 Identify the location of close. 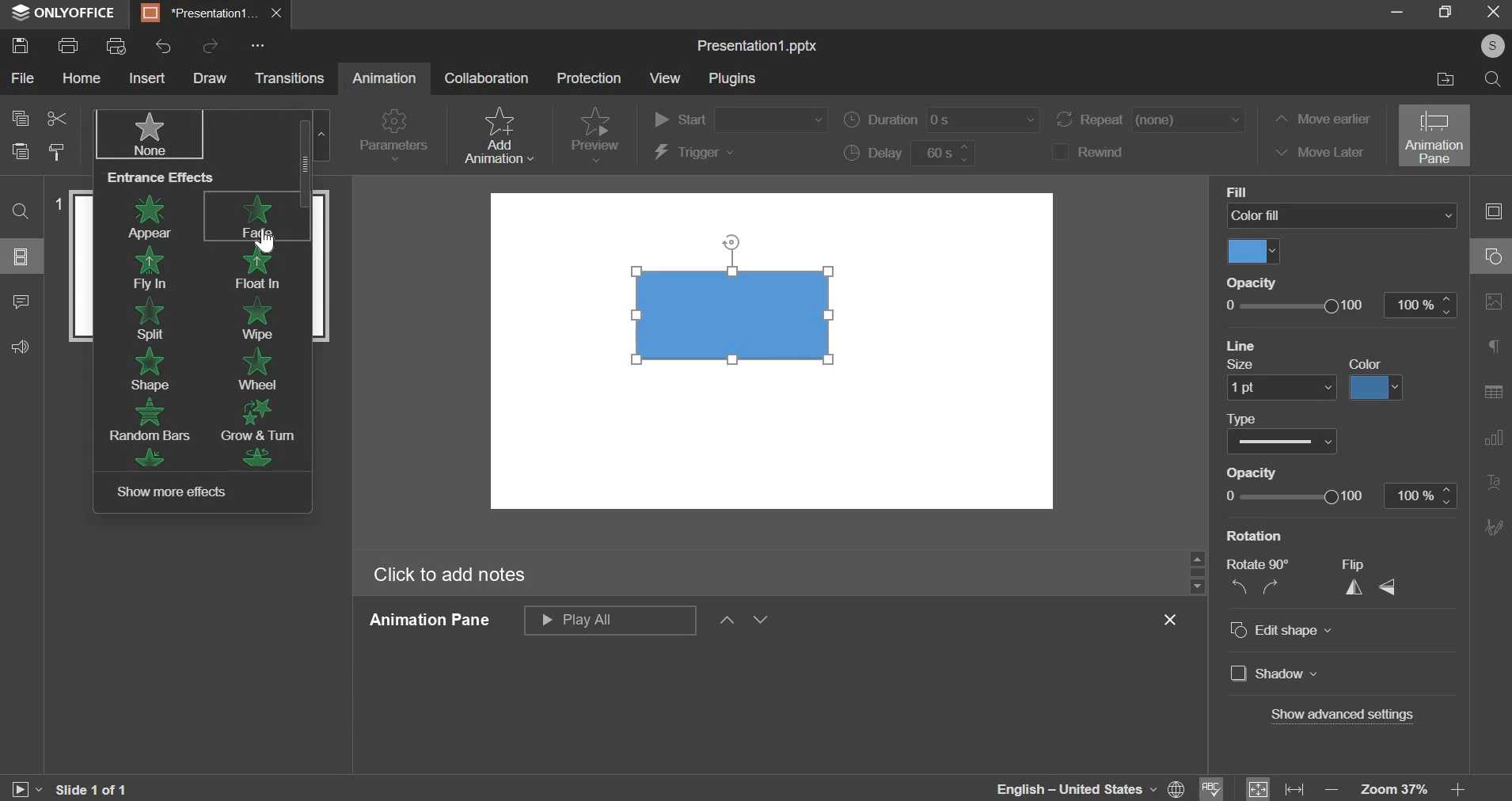
(1175, 621).